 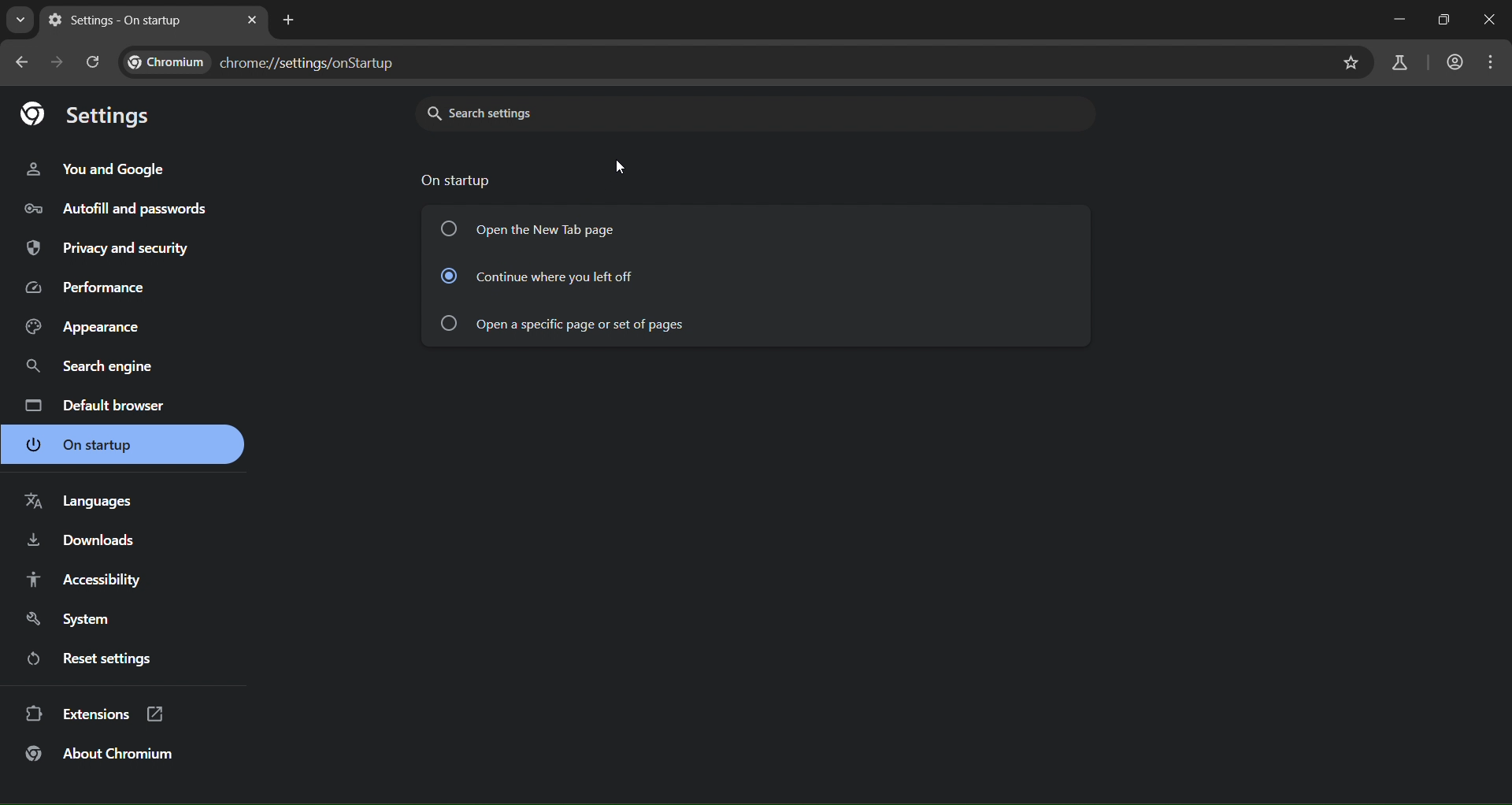 I want to click on reset settings, so click(x=90, y=661).